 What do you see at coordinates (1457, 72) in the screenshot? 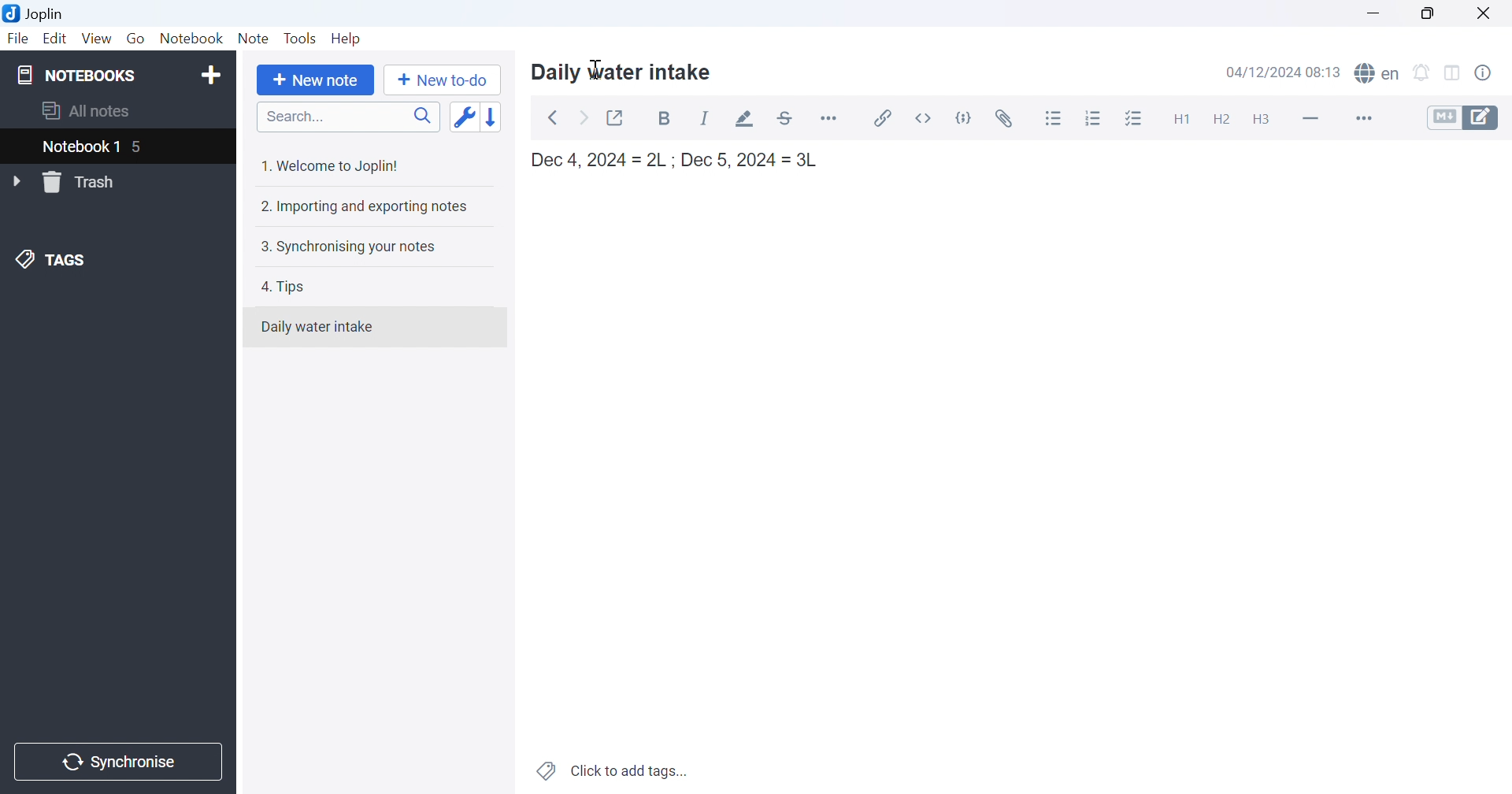
I see `Toggle editor layout` at bounding box center [1457, 72].